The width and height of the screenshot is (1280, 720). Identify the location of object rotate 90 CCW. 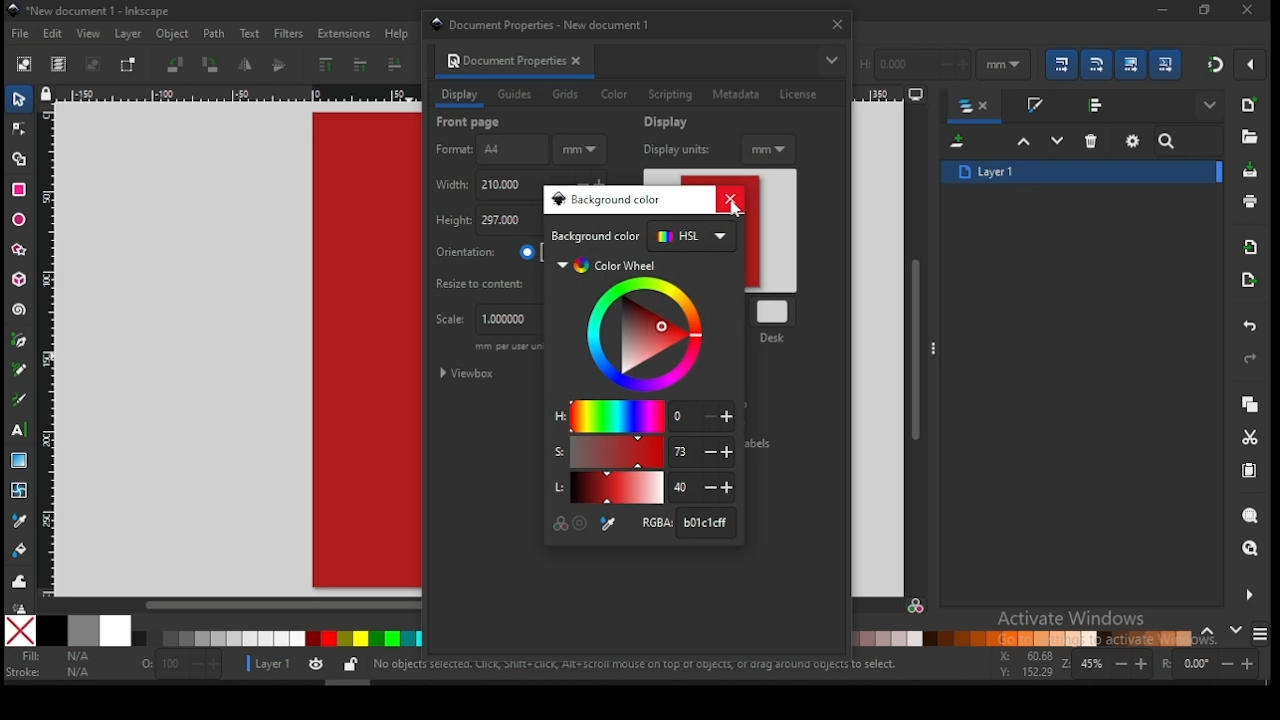
(179, 65).